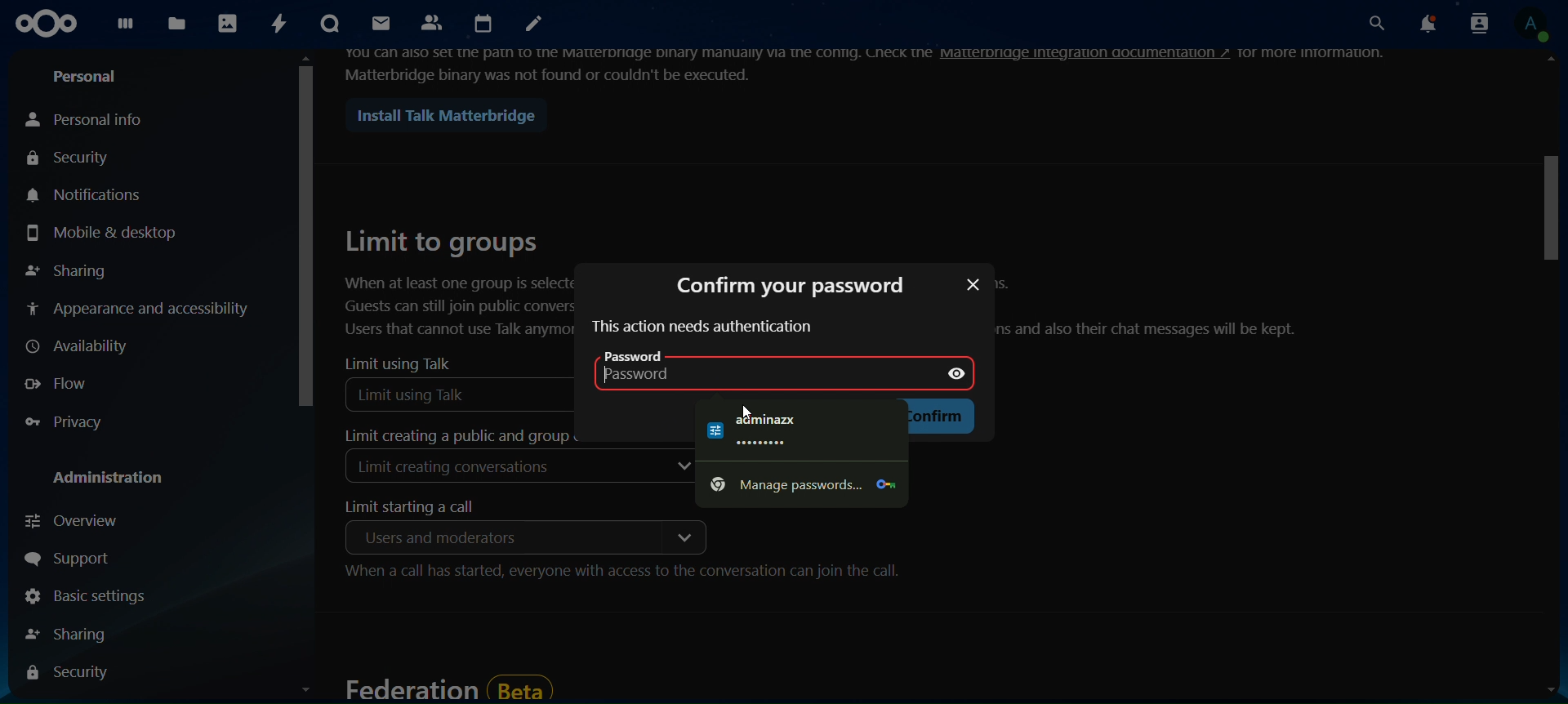 Image resolution: width=1568 pixels, height=704 pixels. Describe the element at coordinates (461, 394) in the screenshot. I see `Limit using Talk selected` at that location.